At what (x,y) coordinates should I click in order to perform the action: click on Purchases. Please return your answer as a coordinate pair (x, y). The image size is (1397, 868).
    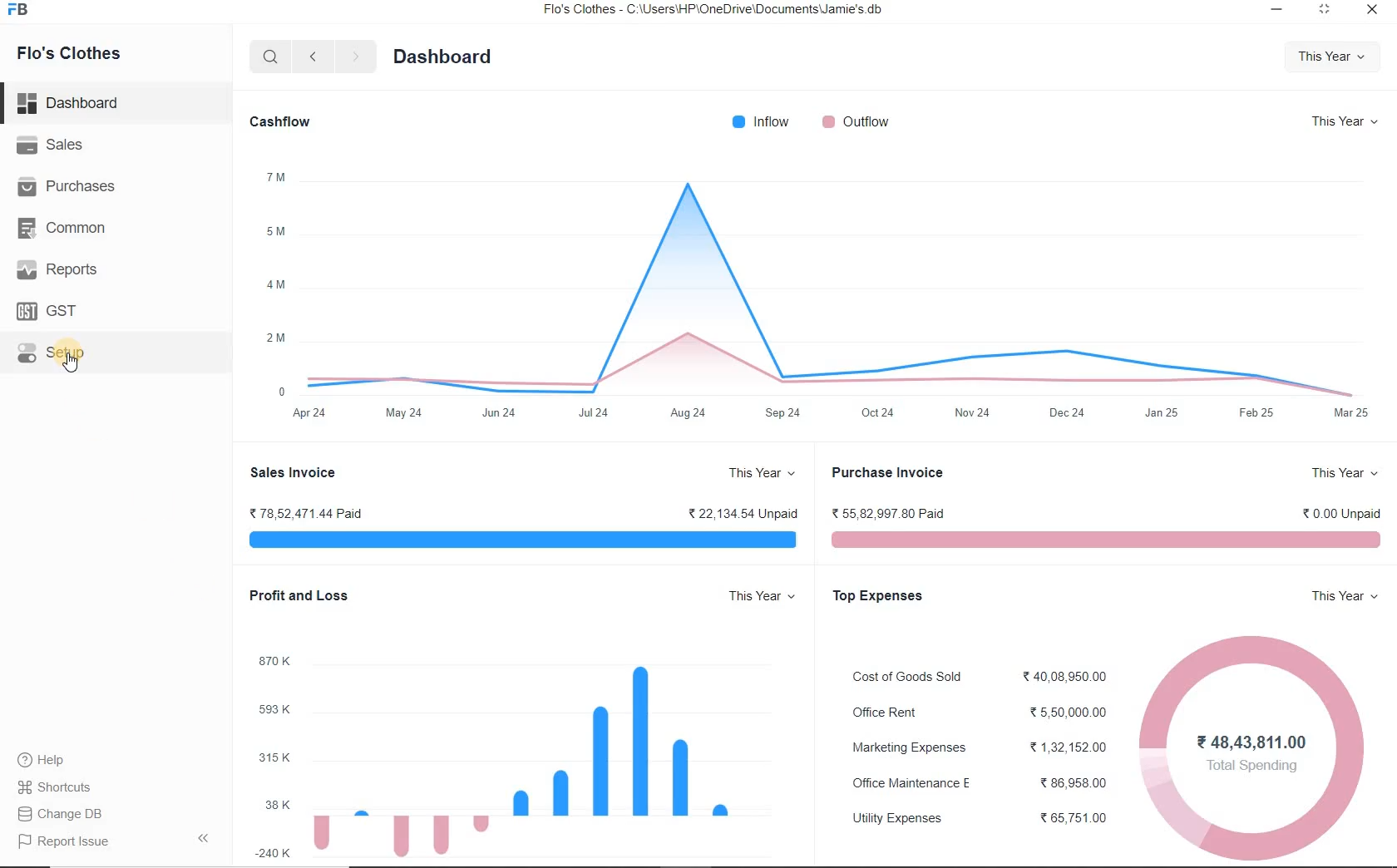
    Looking at the image, I should click on (75, 187).